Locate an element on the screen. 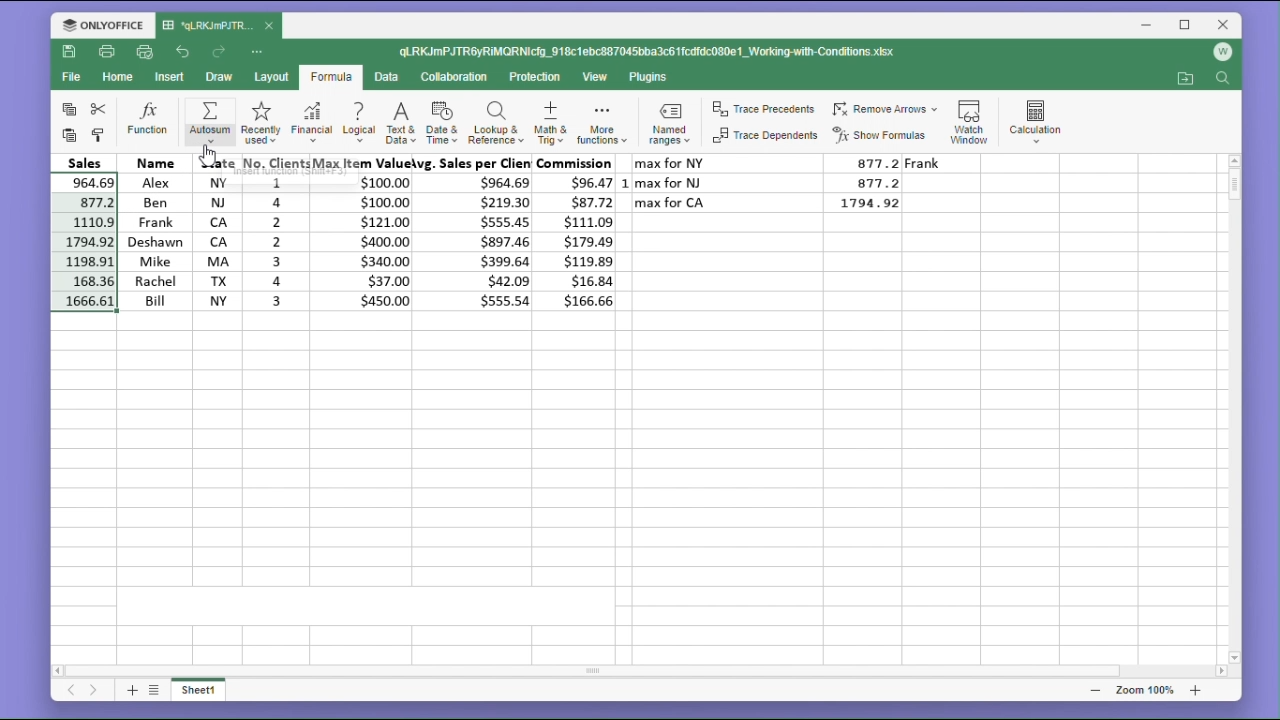 Image resolution: width=1280 pixels, height=720 pixels. function is located at coordinates (148, 120).